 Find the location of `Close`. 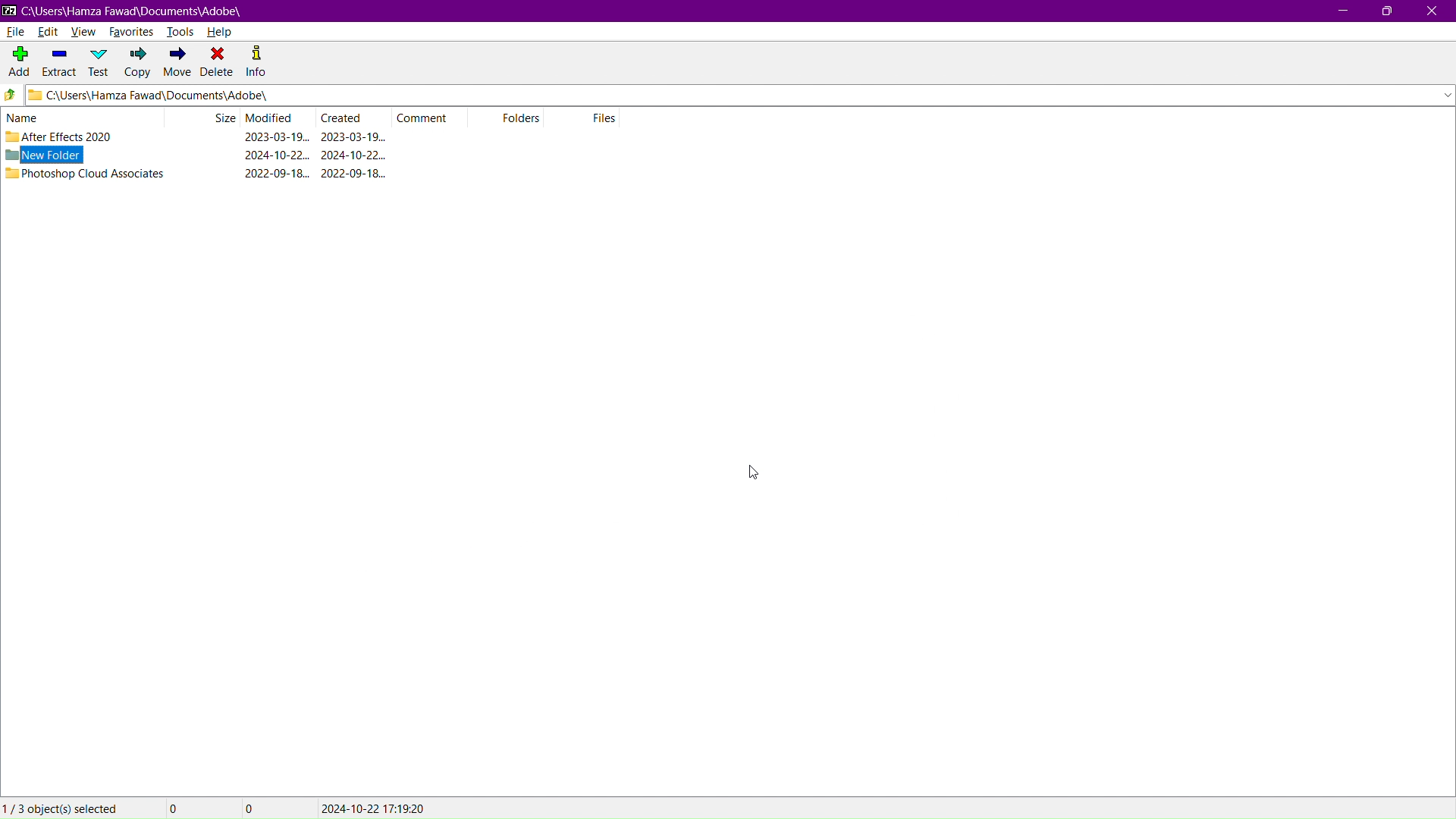

Close is located at coordinates (1435, 11).